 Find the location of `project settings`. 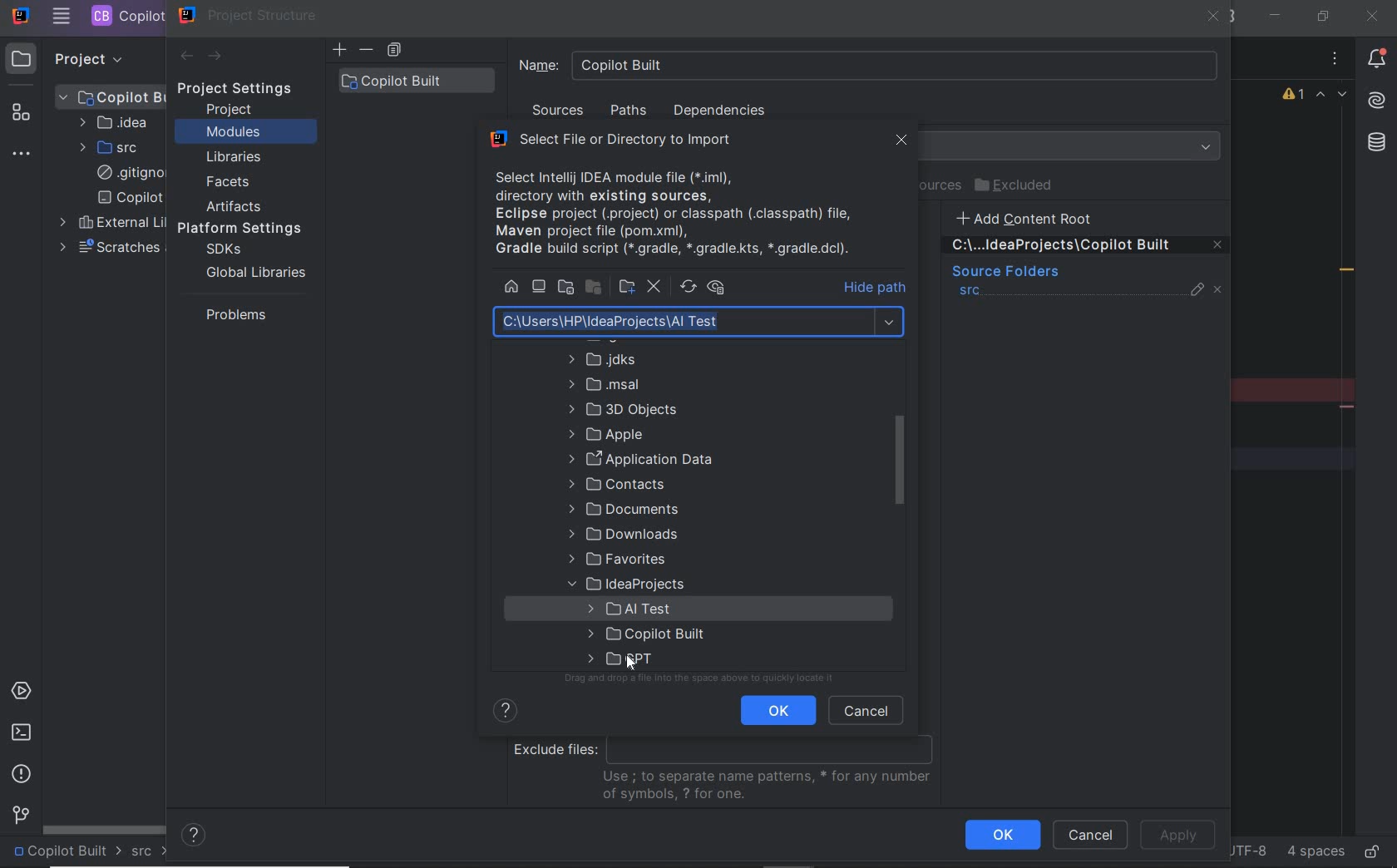

project settings is located at coordinates (246, 89).